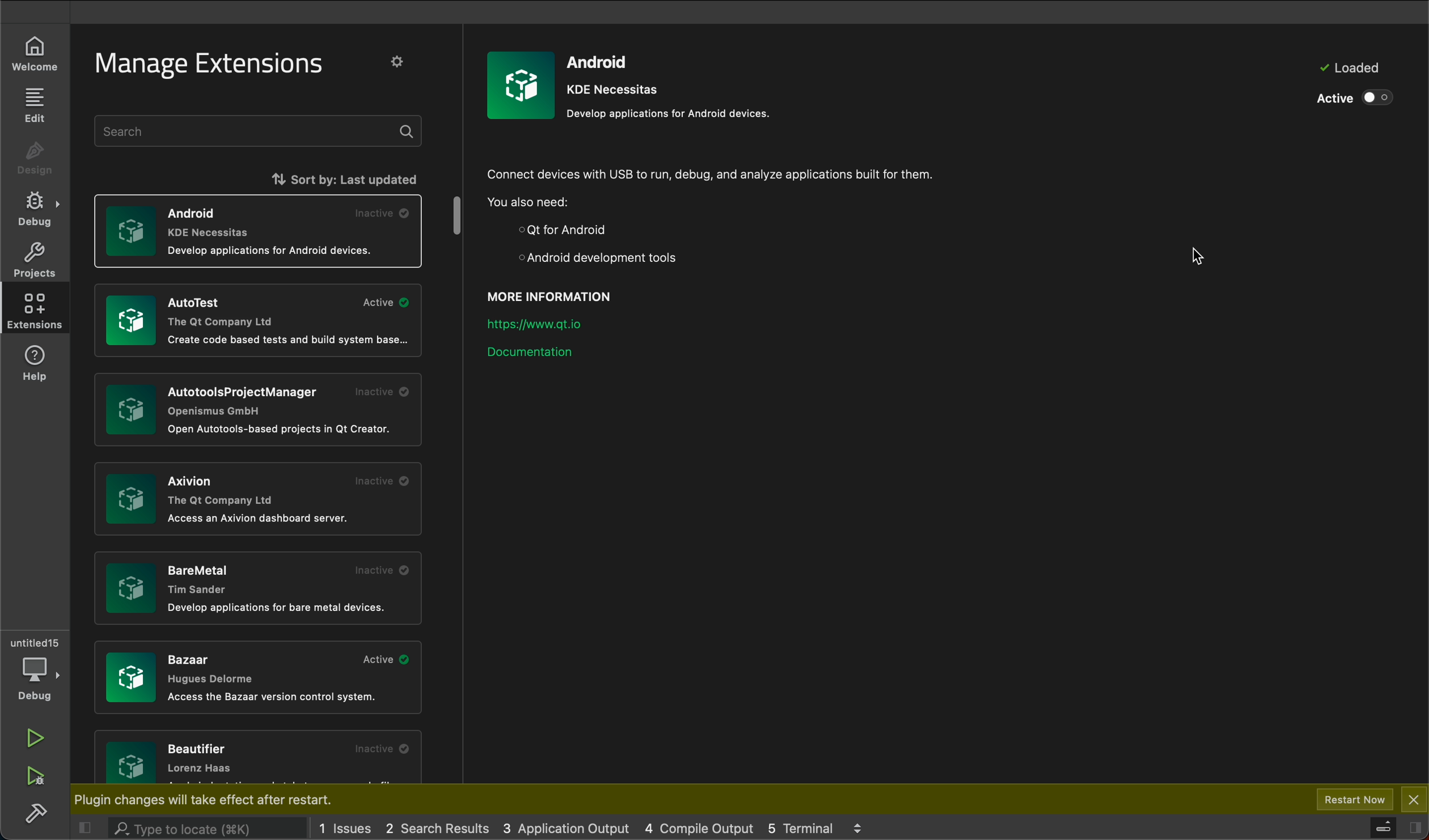  Describe the element at coordinates (33, 106) in the screenshot. I see `edit` at that location.